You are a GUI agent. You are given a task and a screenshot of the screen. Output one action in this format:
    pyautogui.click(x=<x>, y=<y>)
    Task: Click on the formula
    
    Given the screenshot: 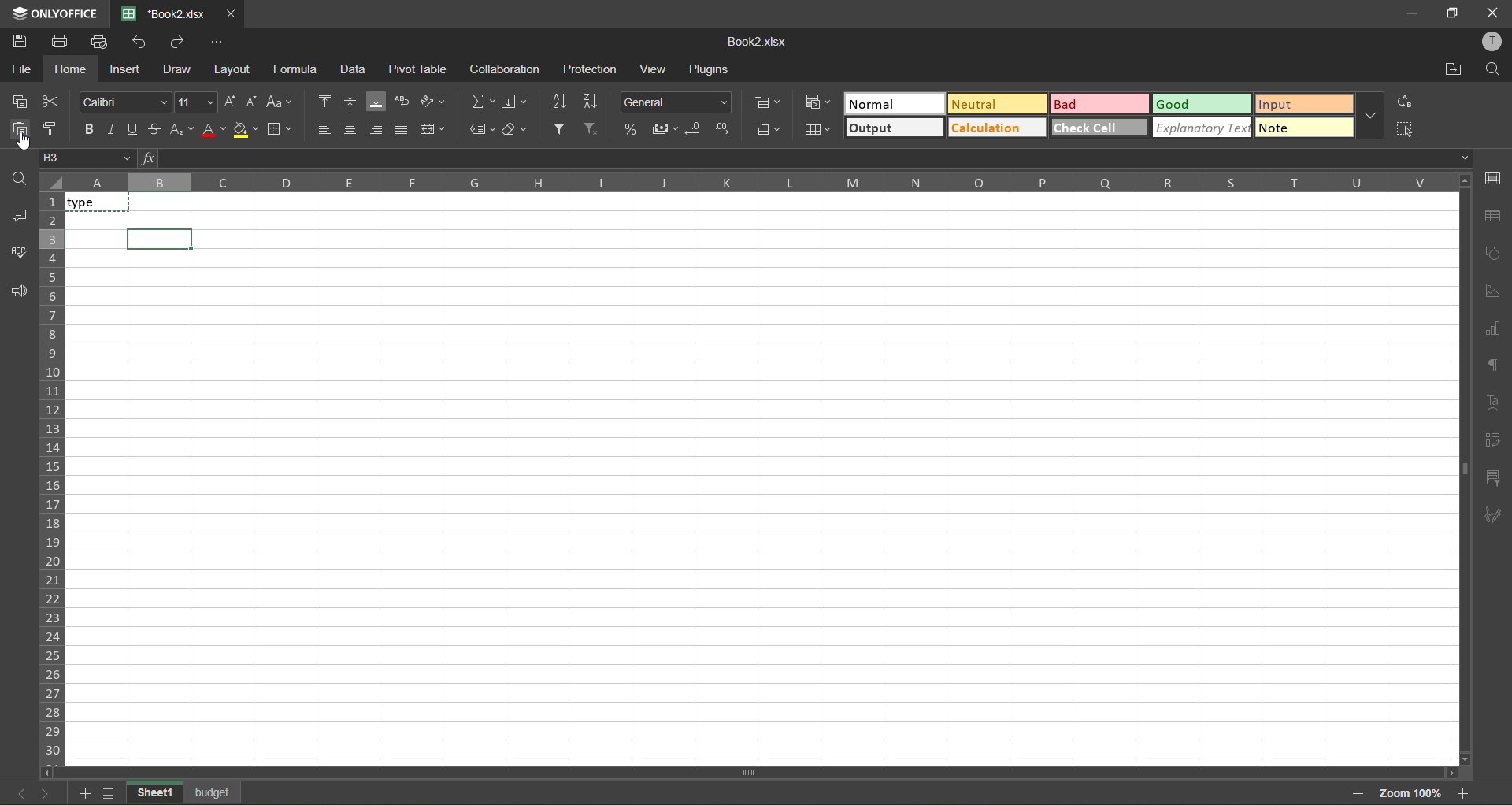 What is the action you would take?
    pyautogui.click(x=294, y=69)
    